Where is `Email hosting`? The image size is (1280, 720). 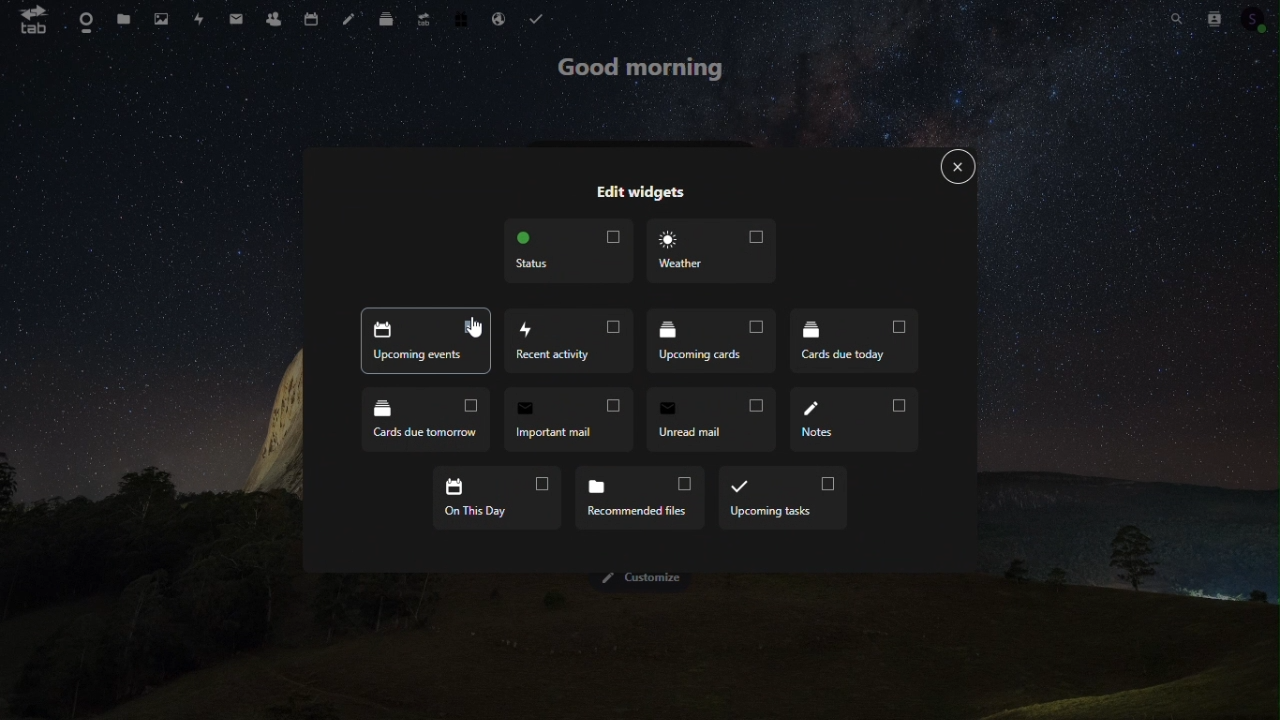
Email hosting is located at coordinates (501, 18).